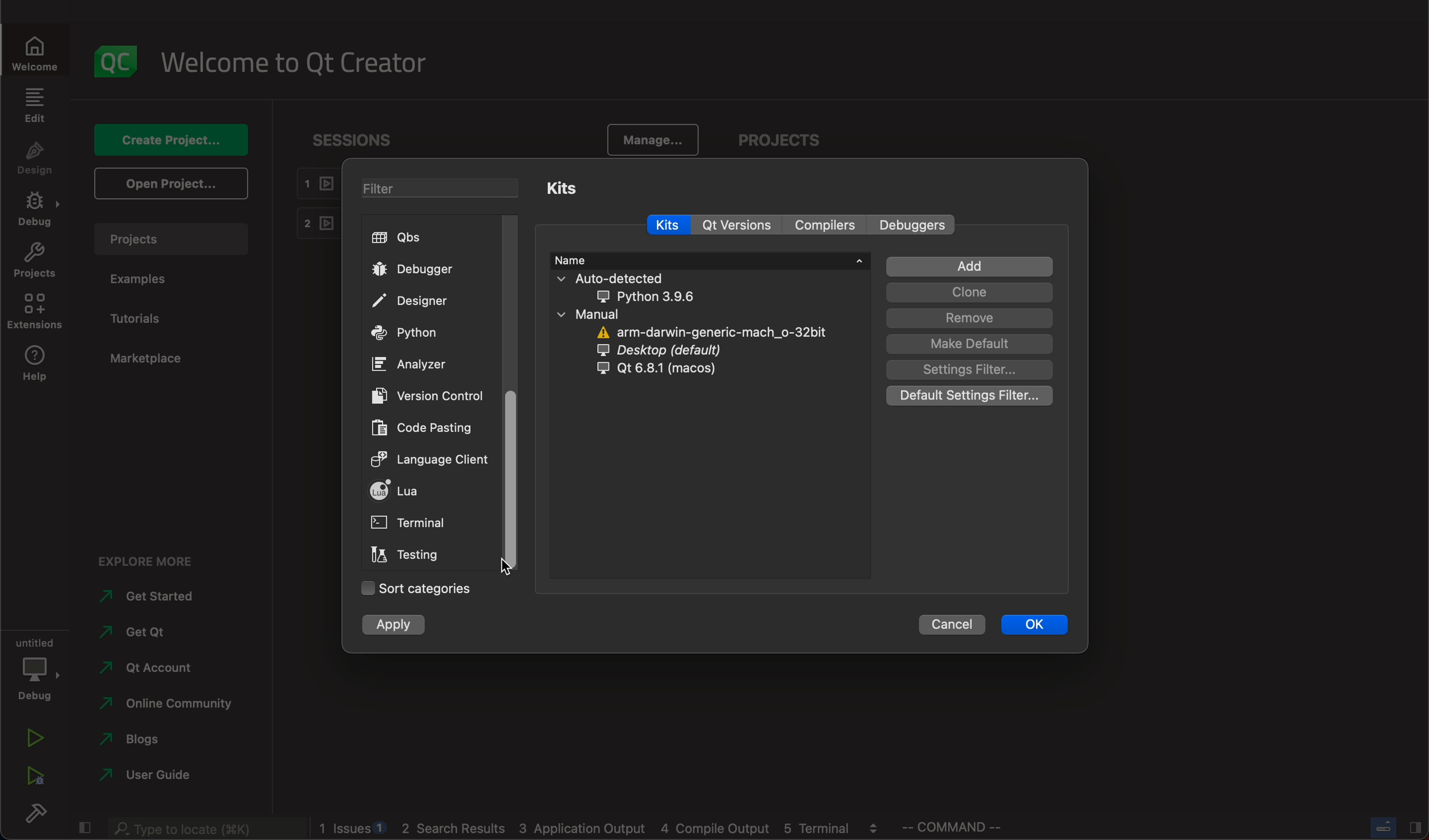  I want to click on sessions, so click(353, 144).